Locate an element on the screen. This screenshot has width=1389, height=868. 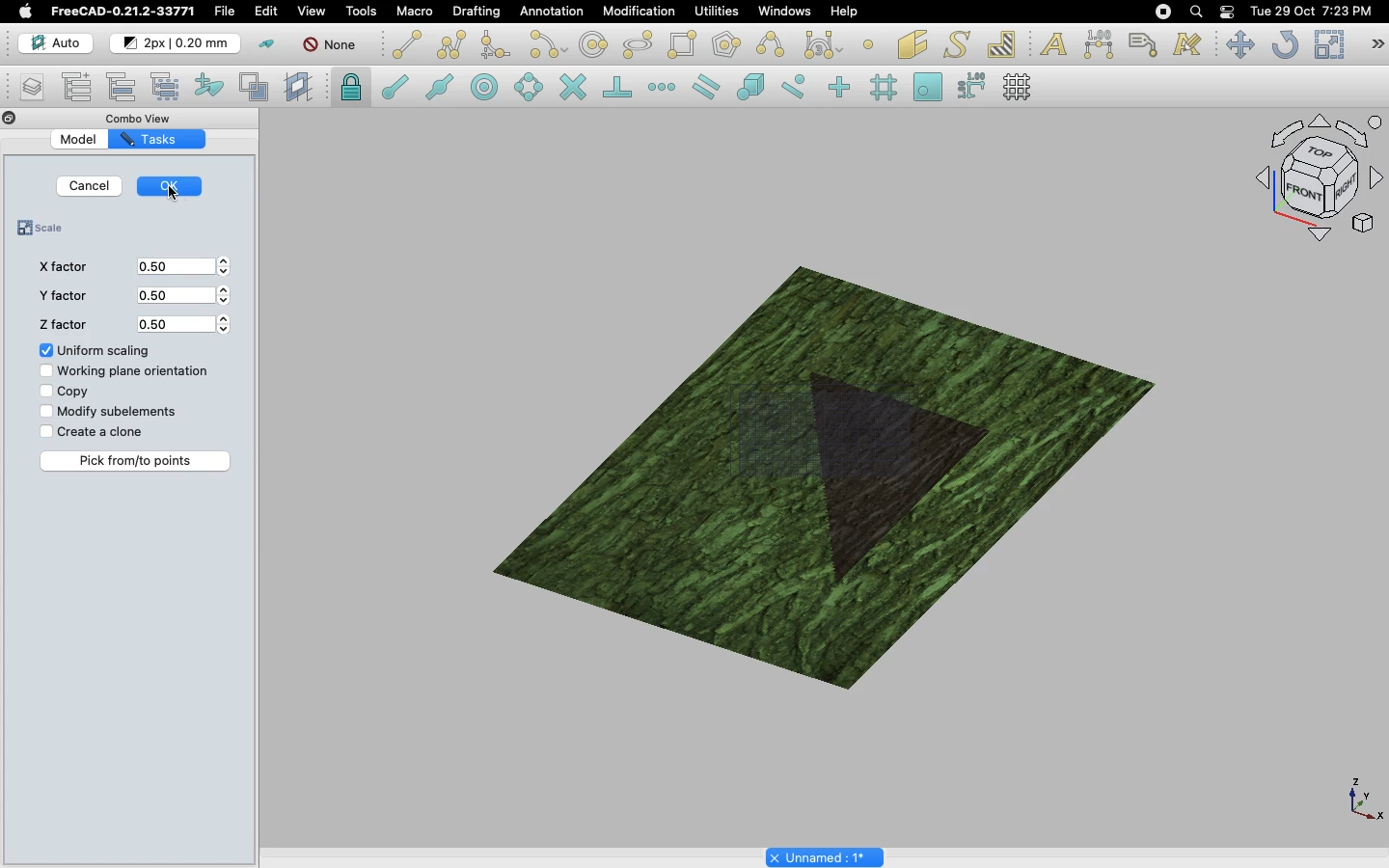
New scale is located at coordinates (888, 478).